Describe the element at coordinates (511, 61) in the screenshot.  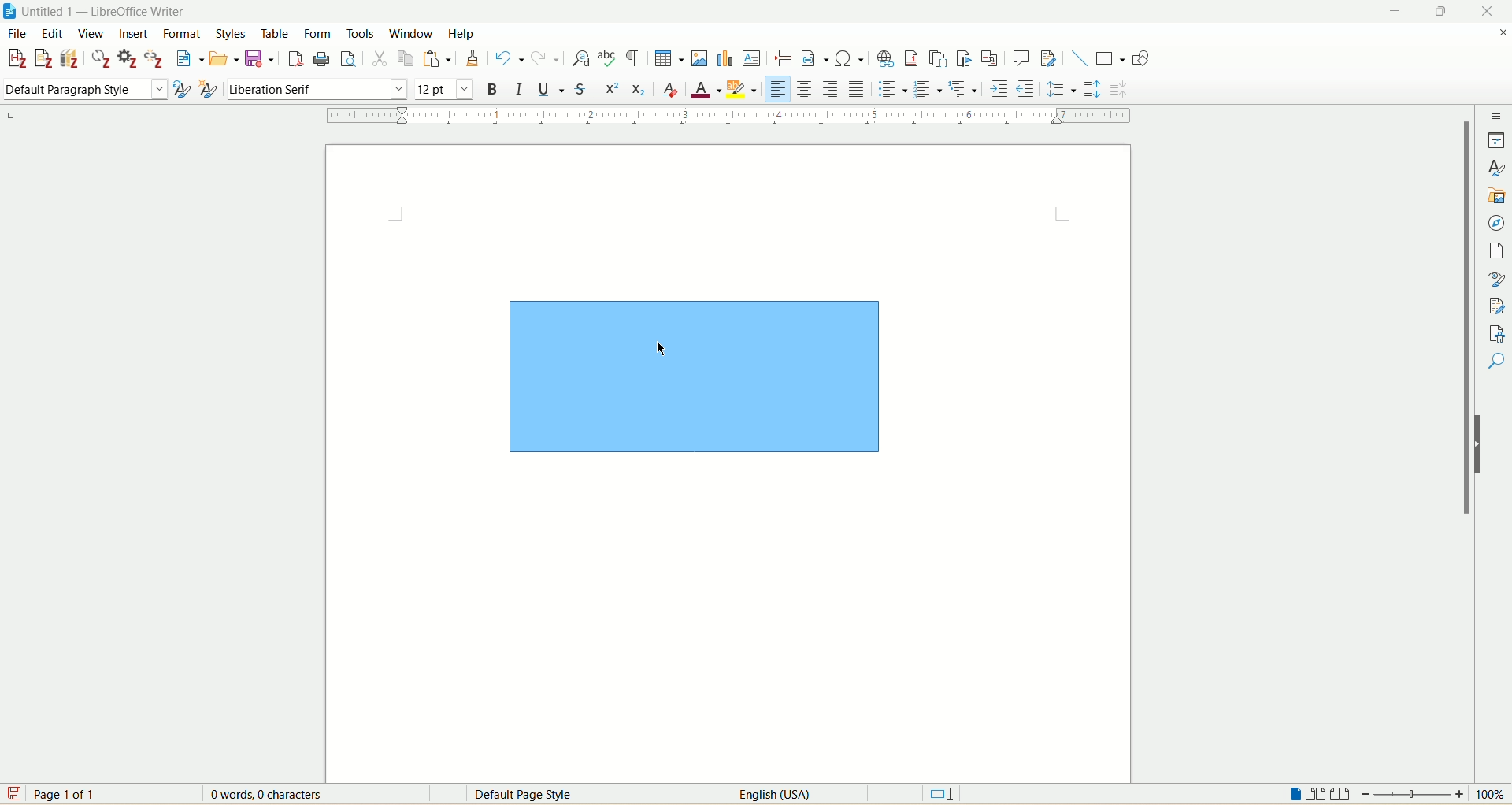
I see `undo` at that location.